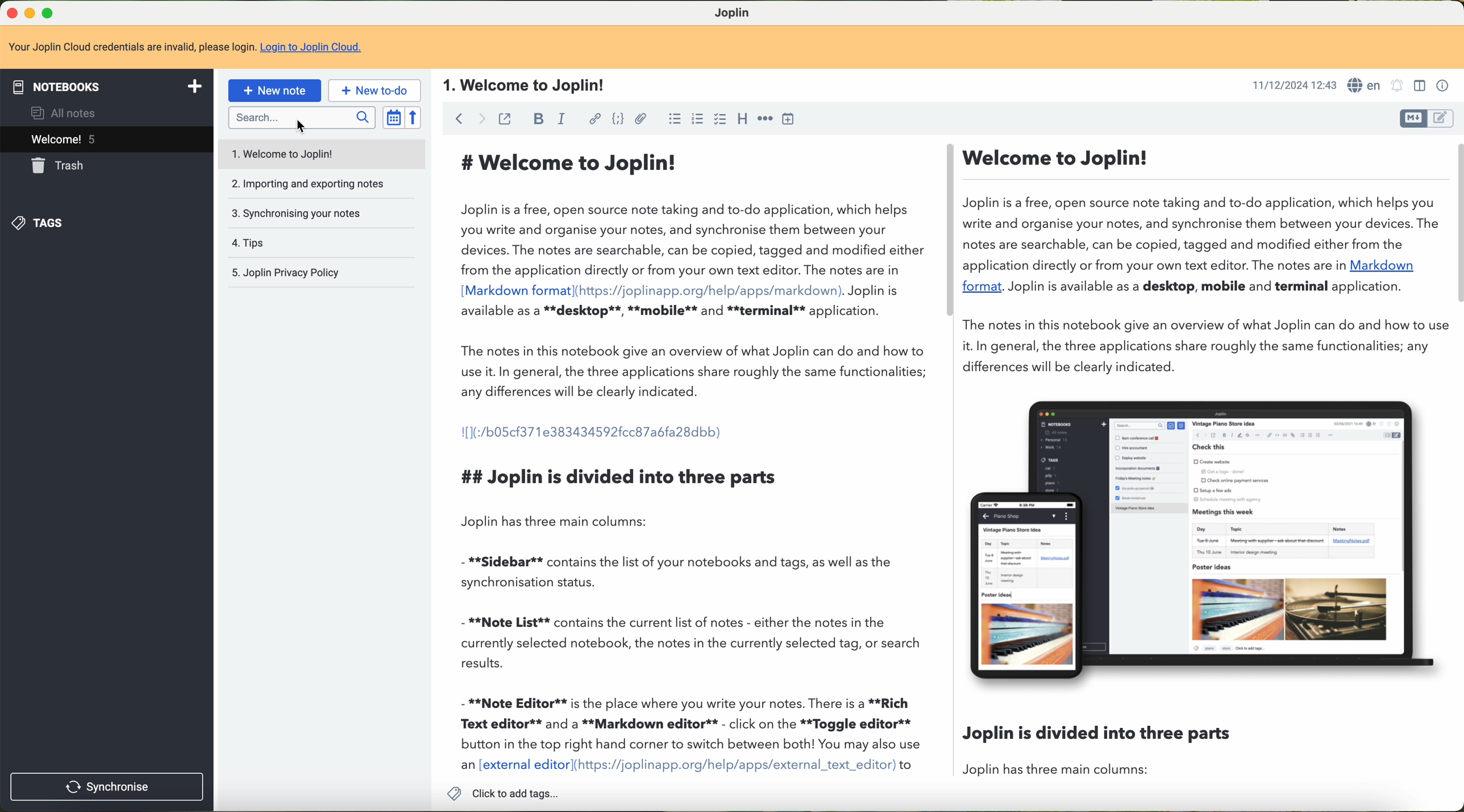 The height and width of the screenshot is (812, 1464). What do you see at coordinates (106, 139) in the screenshot?
I see `welcome 5` at bounding box center [106, 139].